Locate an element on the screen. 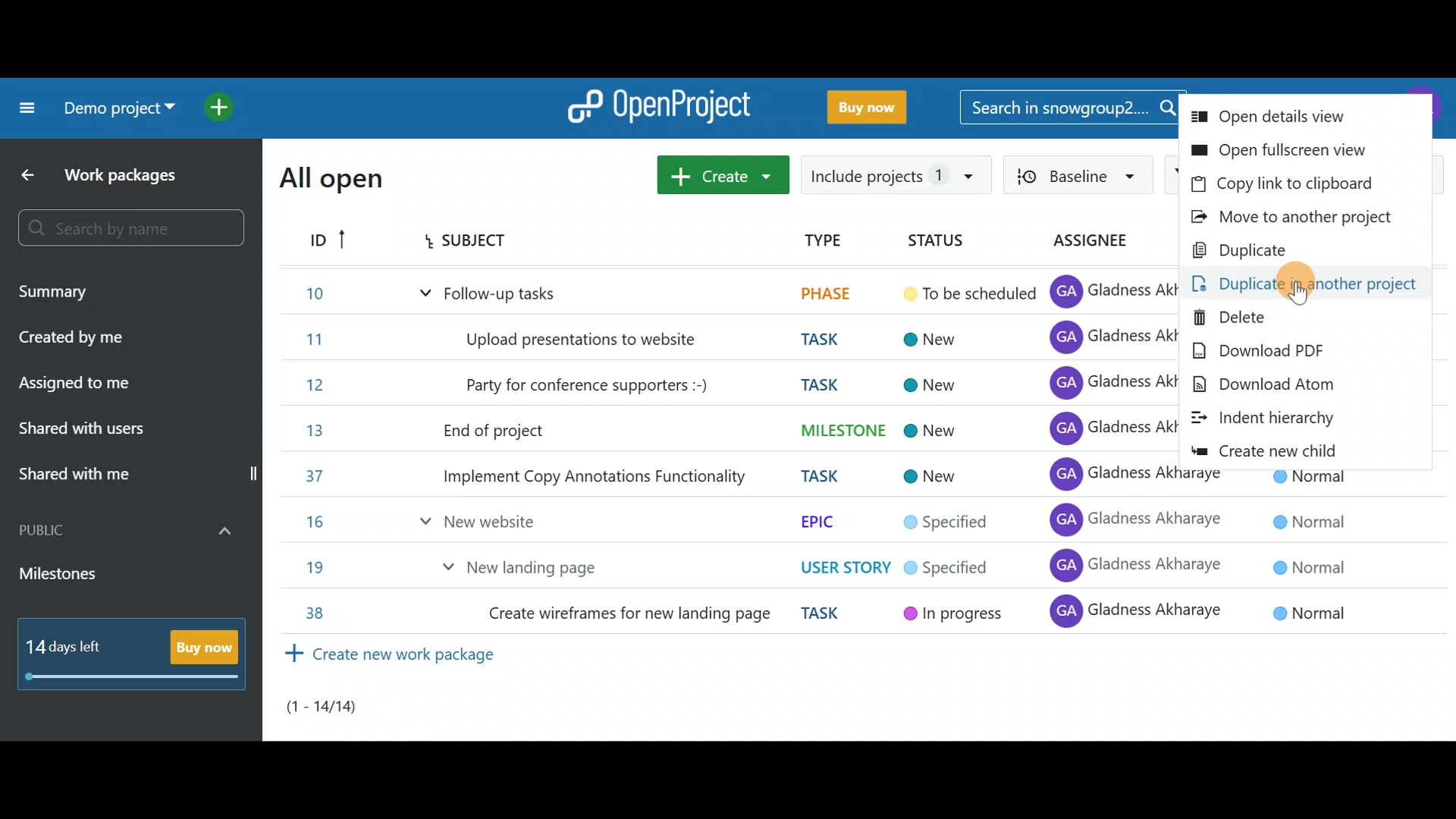 This screenshot has height=819, width=1456. GA Gladness Akharaye is located at coordinates (1099, 338).